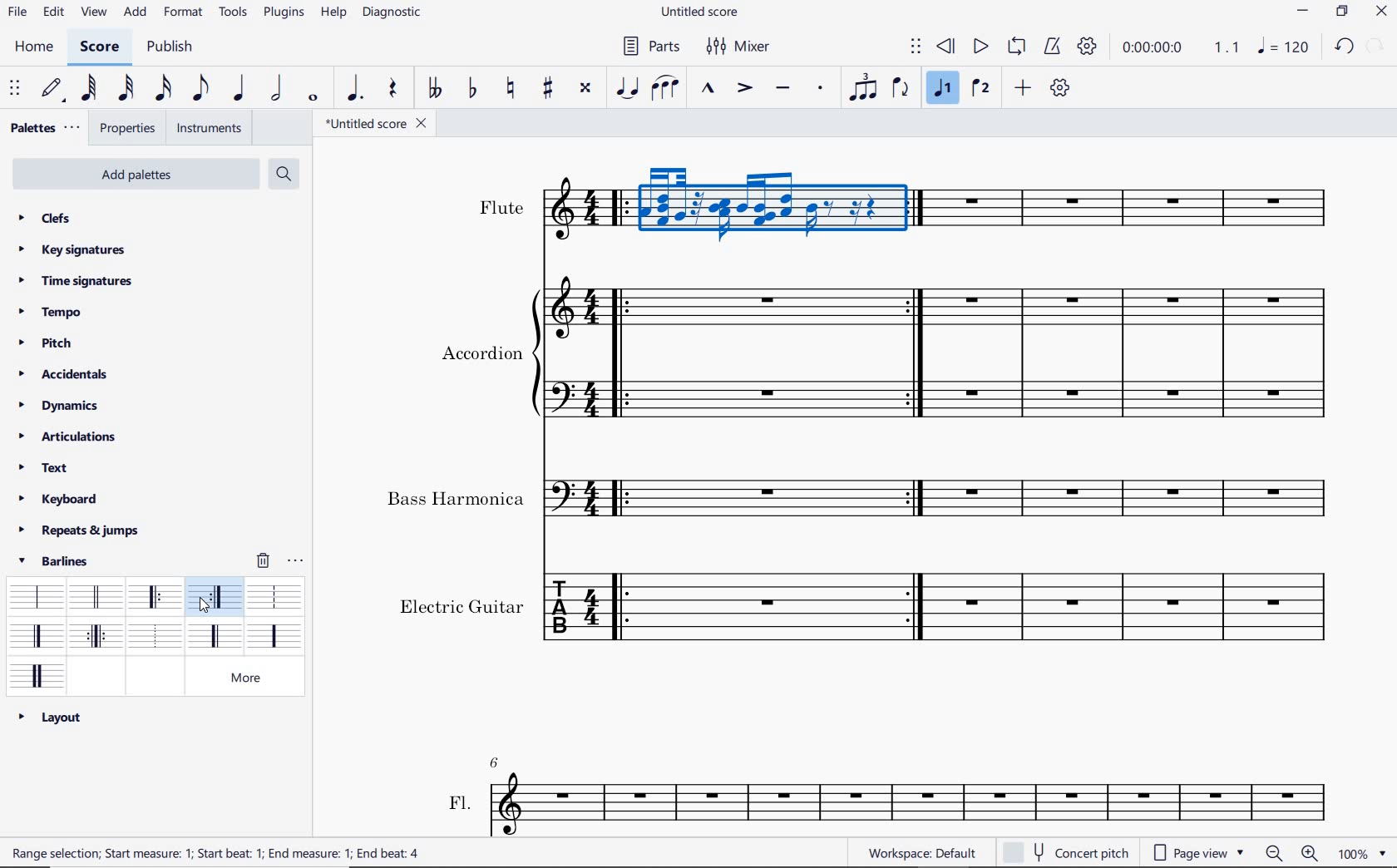 The width and height of the screenshot is (1397, 868). I want to click on search palettes, so click(284, 173).